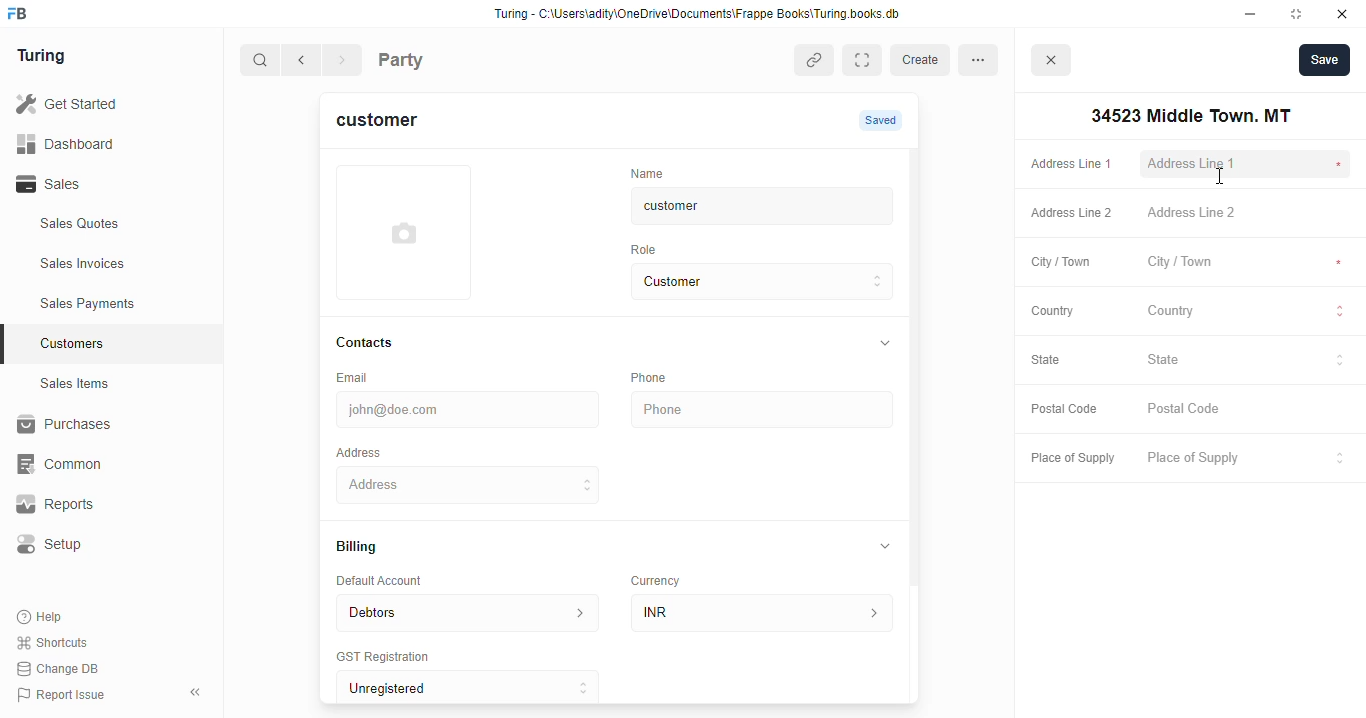 The height and width of the screenshot is (718, 1366). What do you see at coordinates (65, 693) in the screenshot?
I see `Report Issue` at bounding box center [65, 693].